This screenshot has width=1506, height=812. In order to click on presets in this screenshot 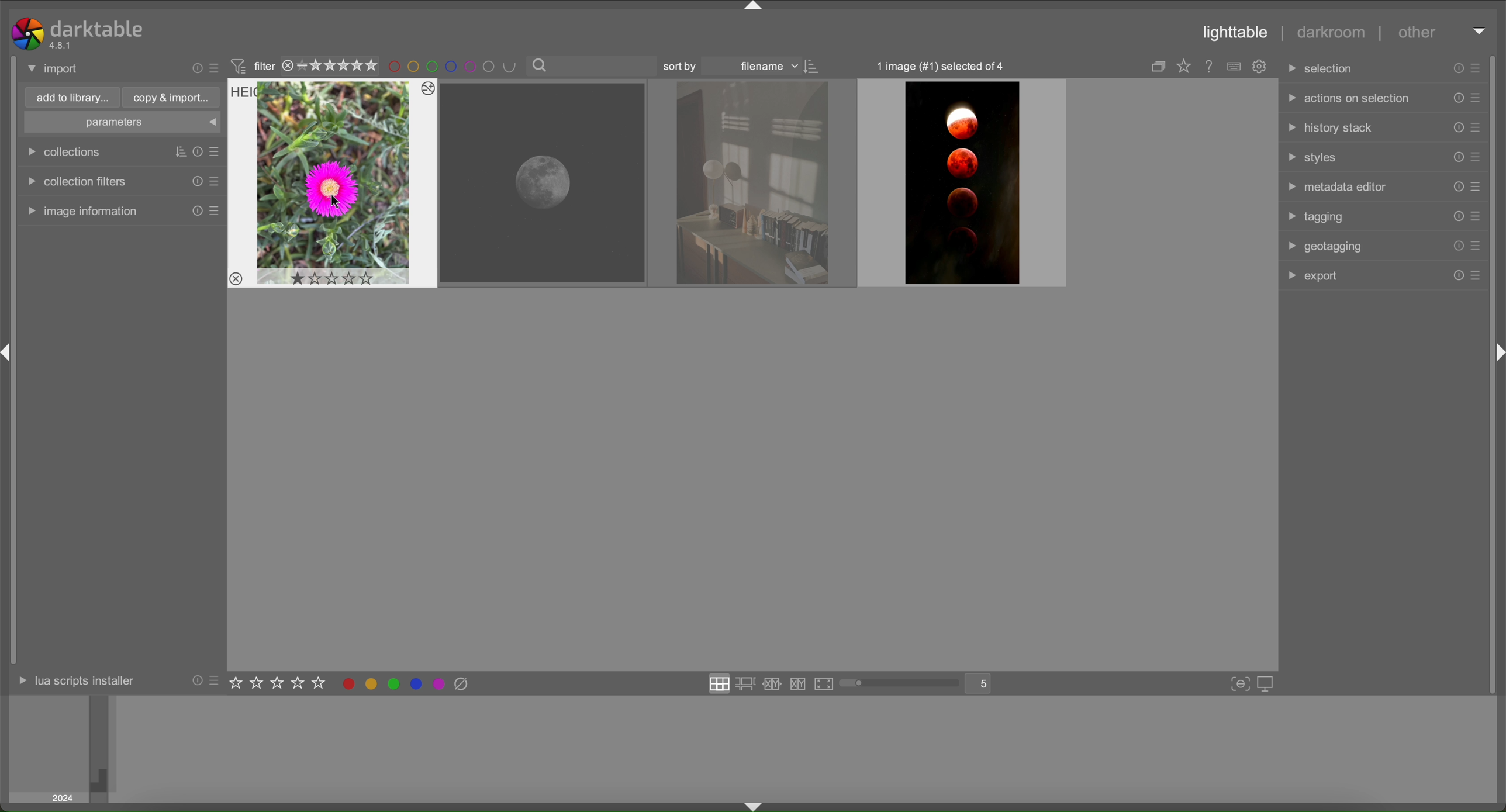, I will do `click(1475, 216)`.